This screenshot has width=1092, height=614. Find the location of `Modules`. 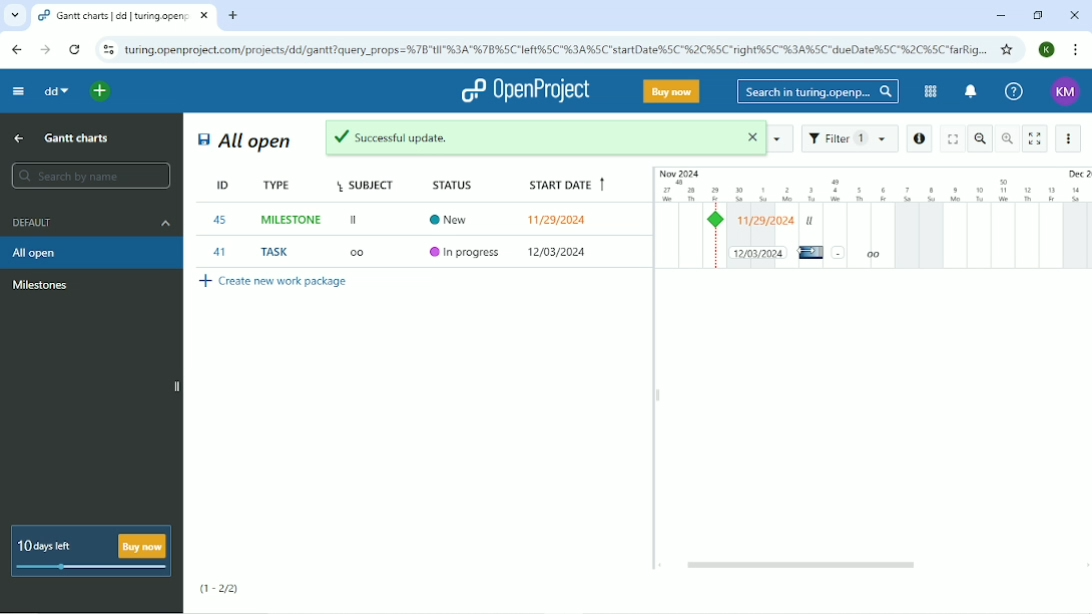

Modules is located at coordinates (929, 91).